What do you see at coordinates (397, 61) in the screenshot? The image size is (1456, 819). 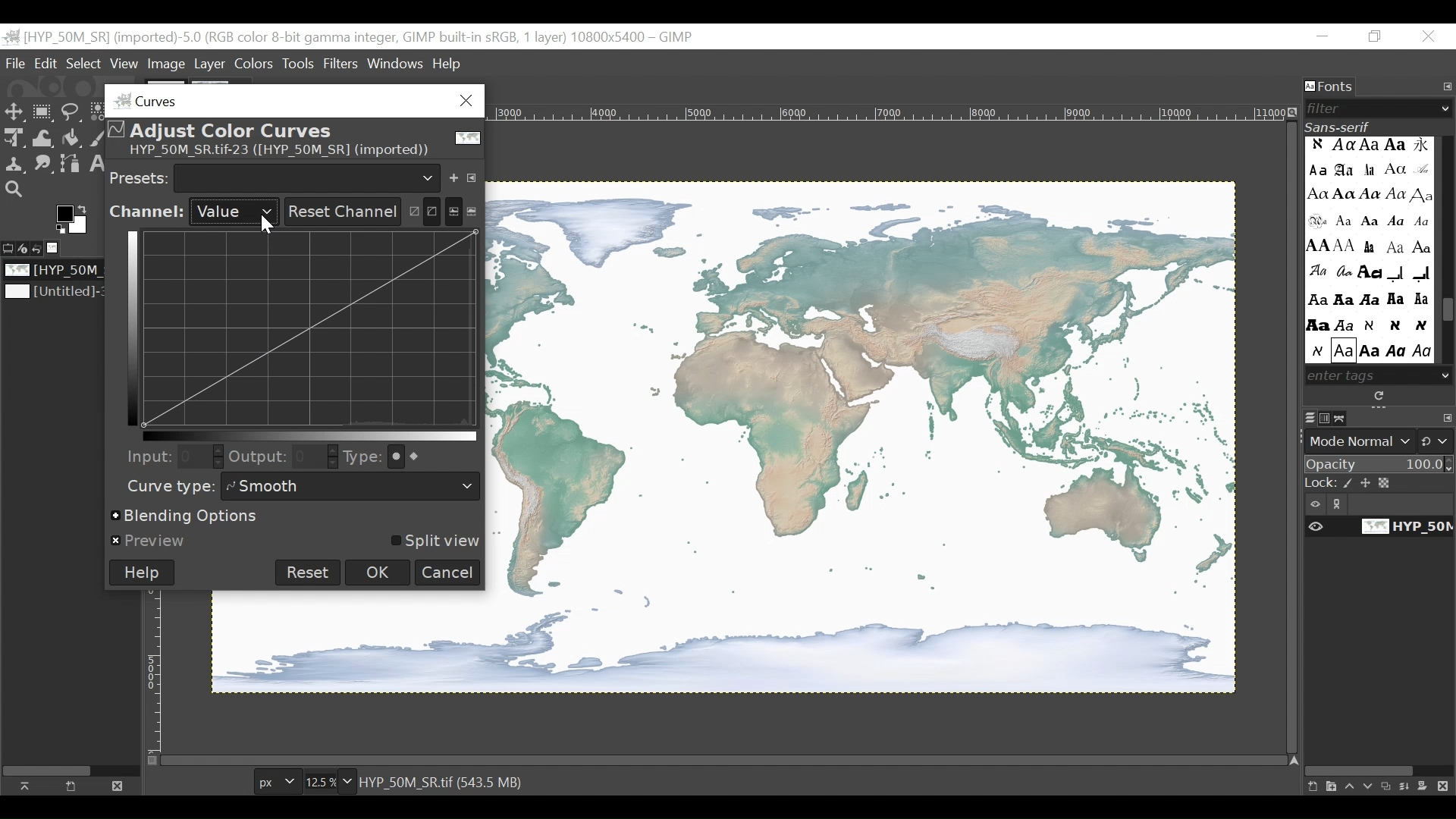 I see `Windows` at bounding box center [397, 61].